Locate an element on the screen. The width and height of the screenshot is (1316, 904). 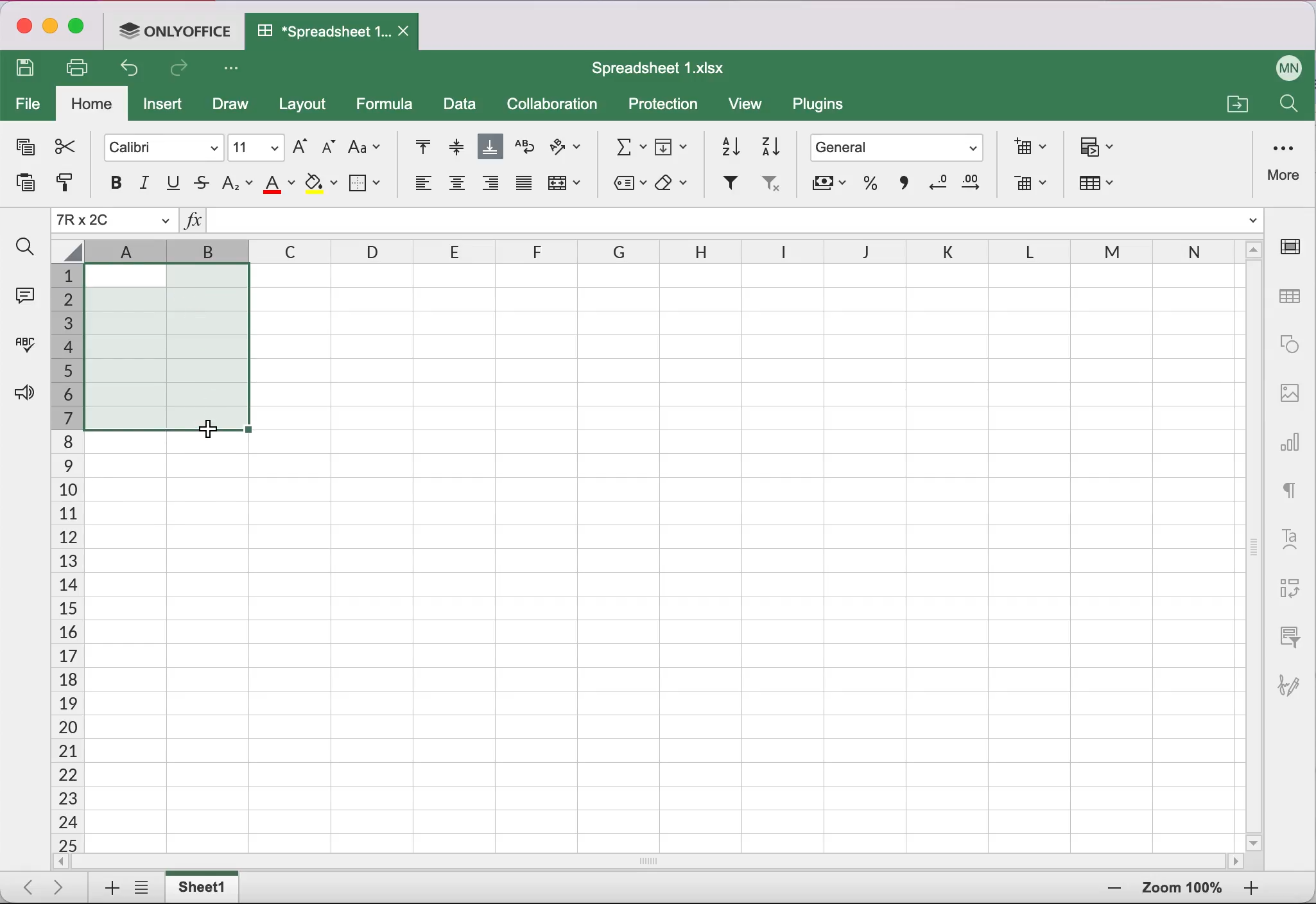
delete cells is located at coordinates (1030, 185).